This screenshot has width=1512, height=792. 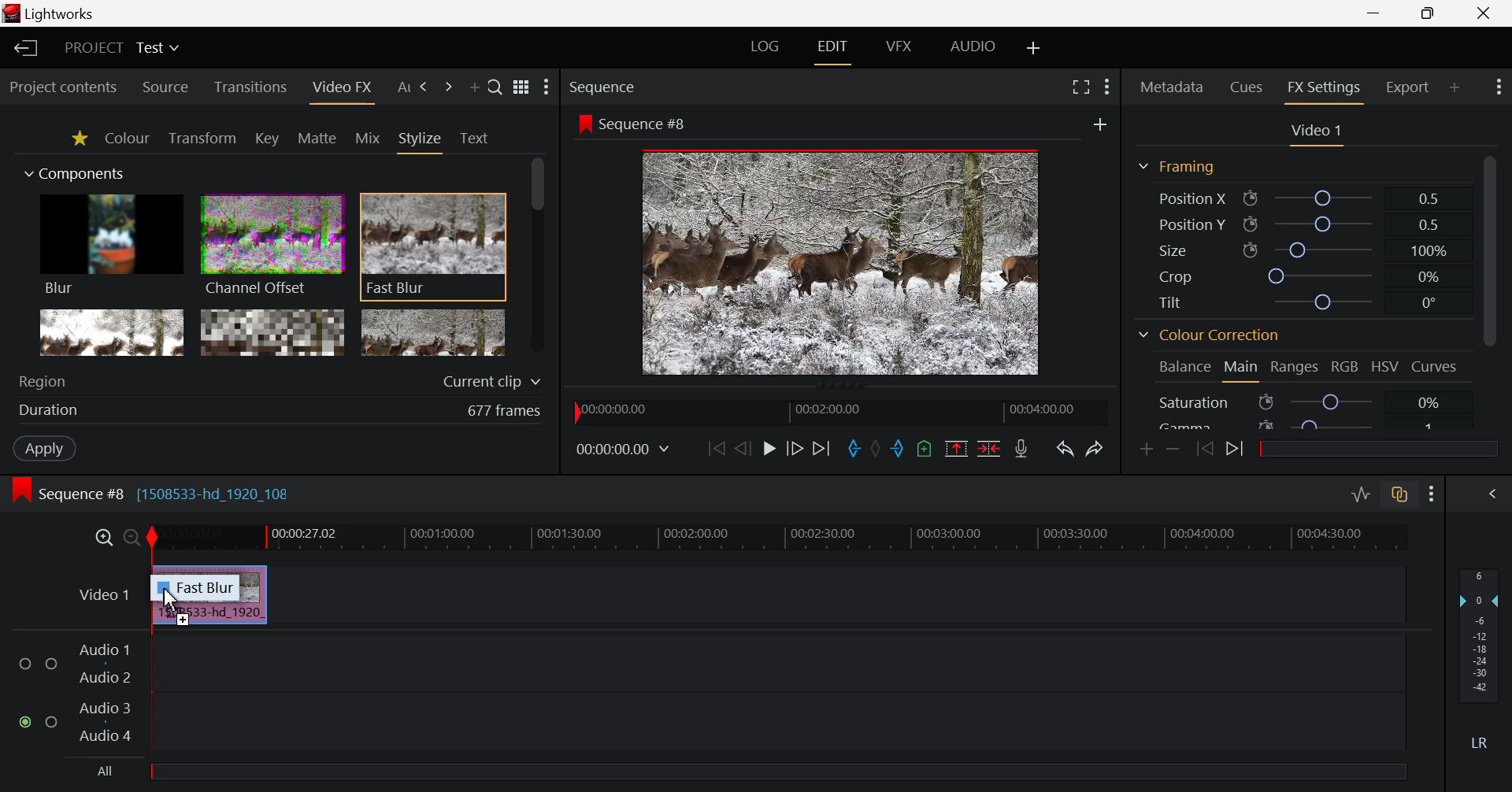 I want to click on Mark In, so click(x=855, y=446).